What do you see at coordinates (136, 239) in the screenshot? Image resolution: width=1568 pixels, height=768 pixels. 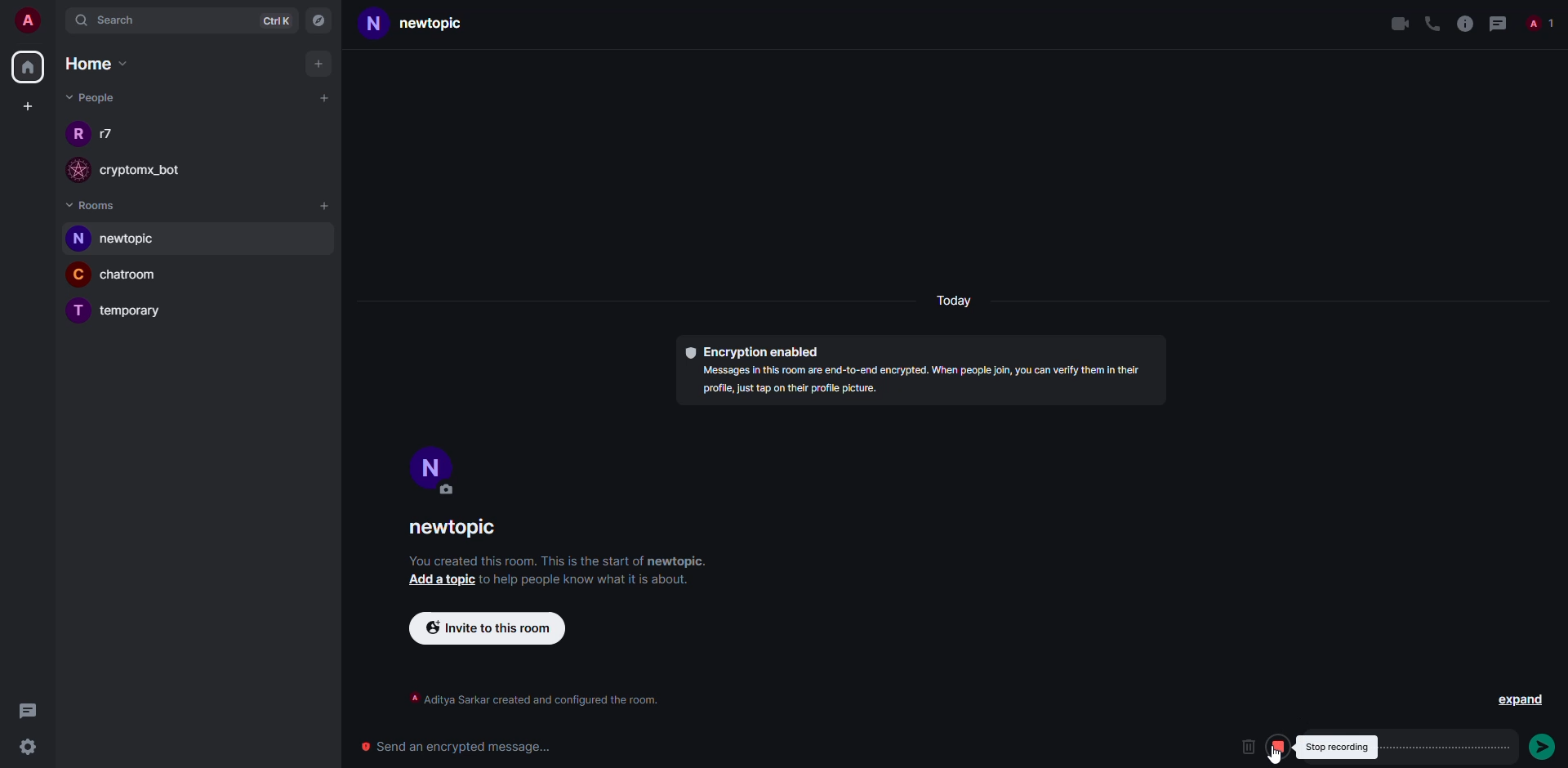 I see `room` at bounding box center [136, 239].